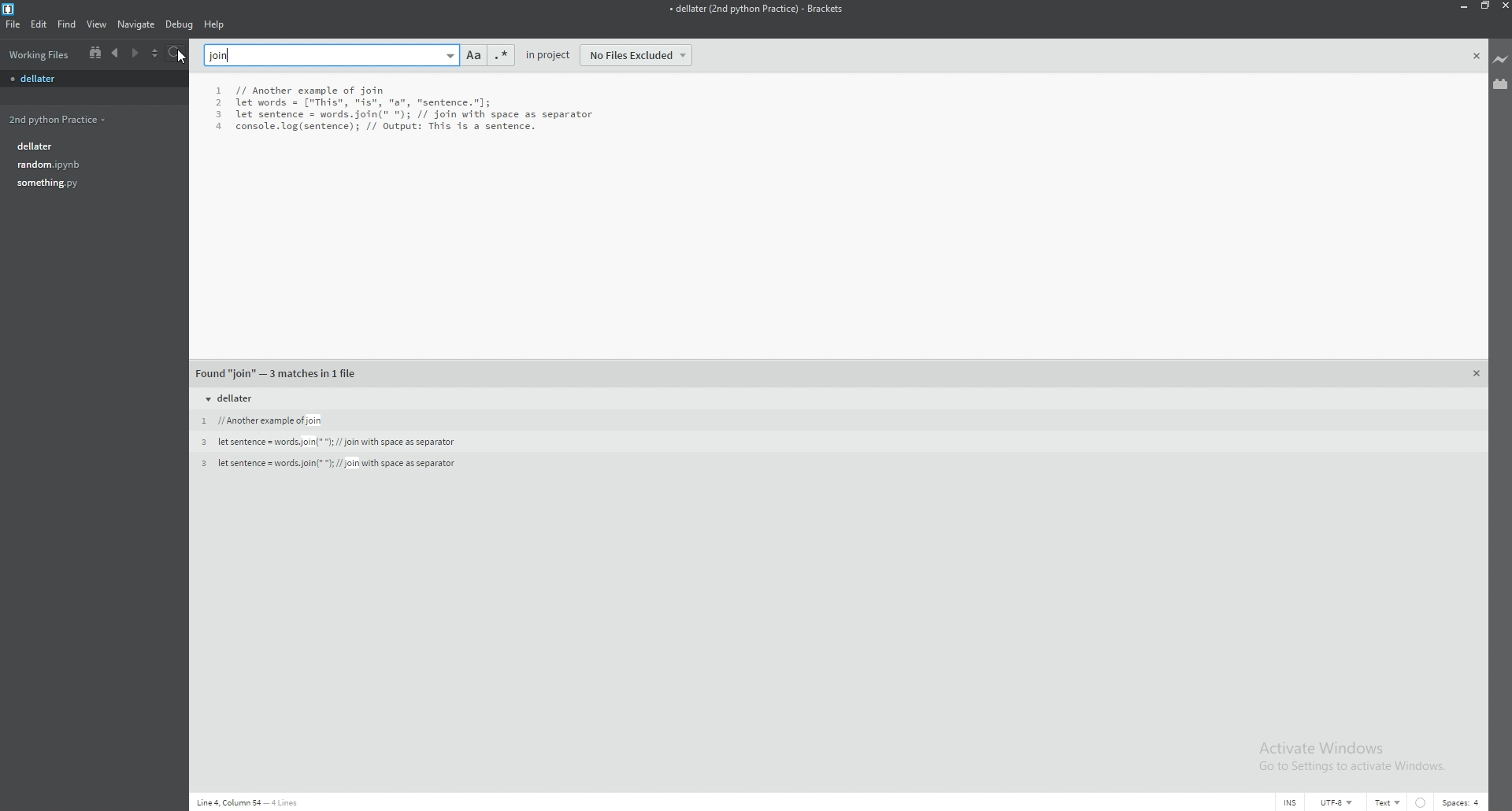 This screenshot has width=1512, height=811. What do you see at coordinates (57, 119) in the screenshot?
I see `2nd python practice` at bounding box center [57, 119].